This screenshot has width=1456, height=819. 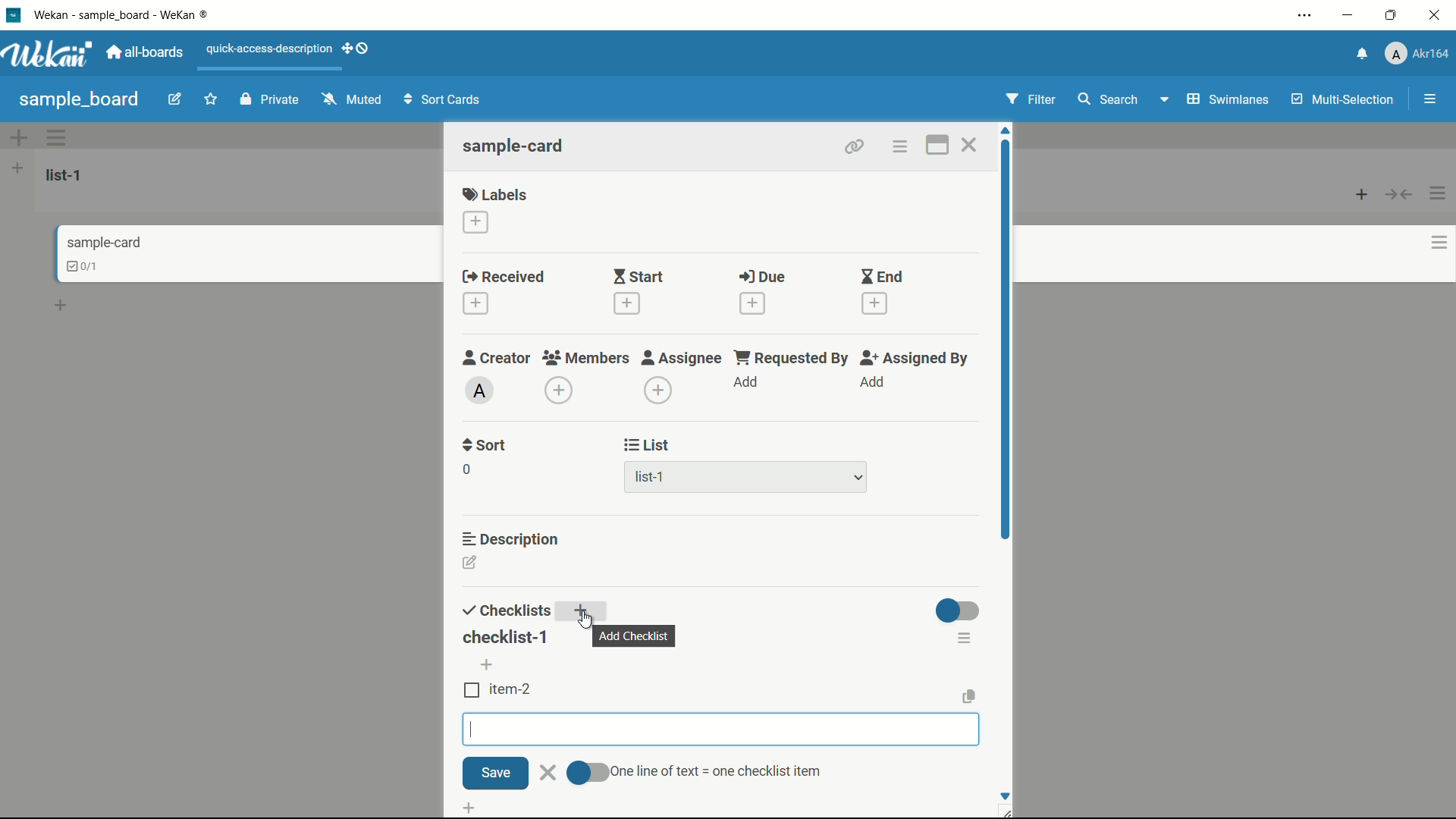 I want to click on private, so click(x=270, y=101).